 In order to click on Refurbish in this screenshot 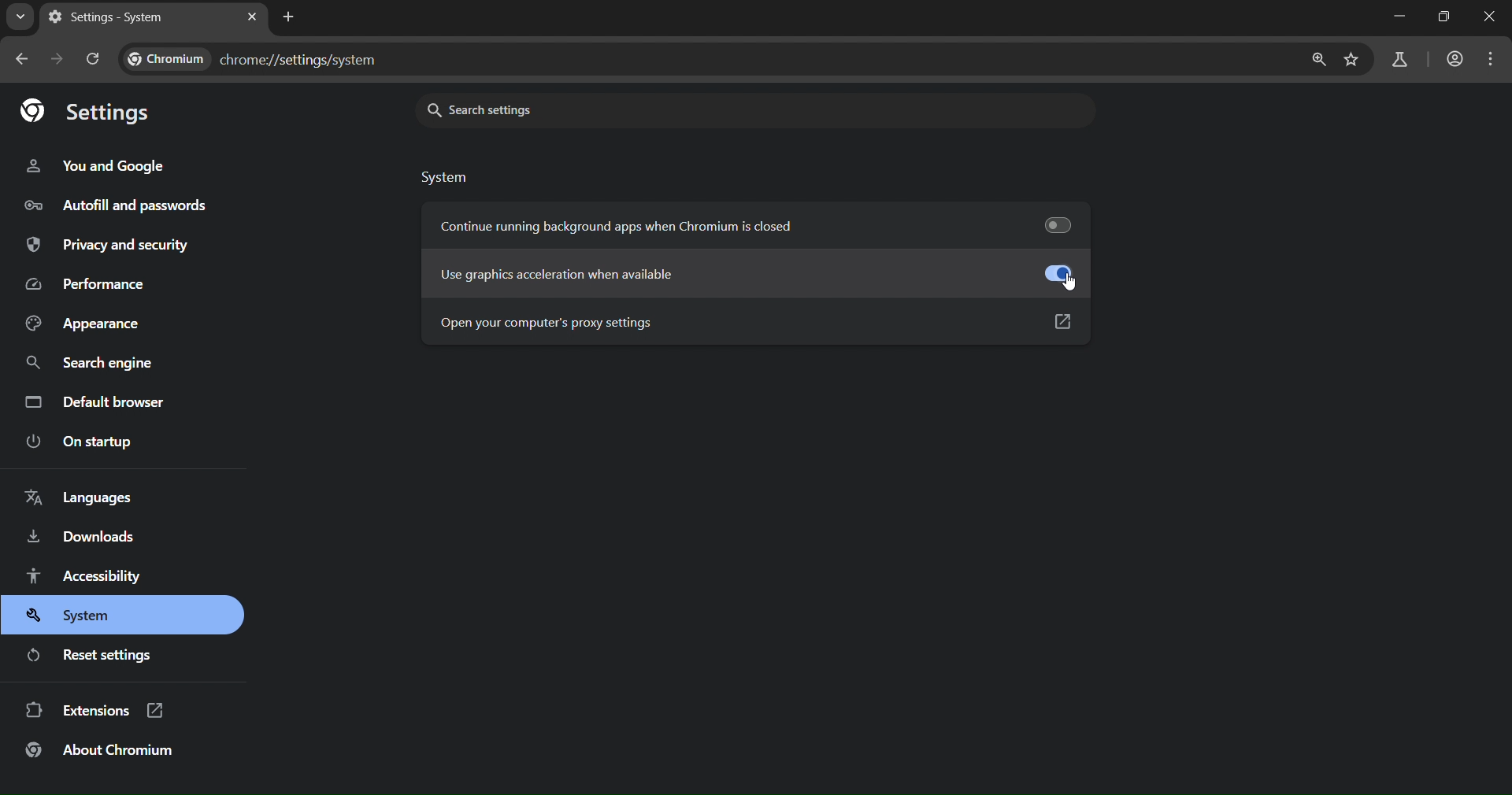, I will do `click(1057, 275)`.